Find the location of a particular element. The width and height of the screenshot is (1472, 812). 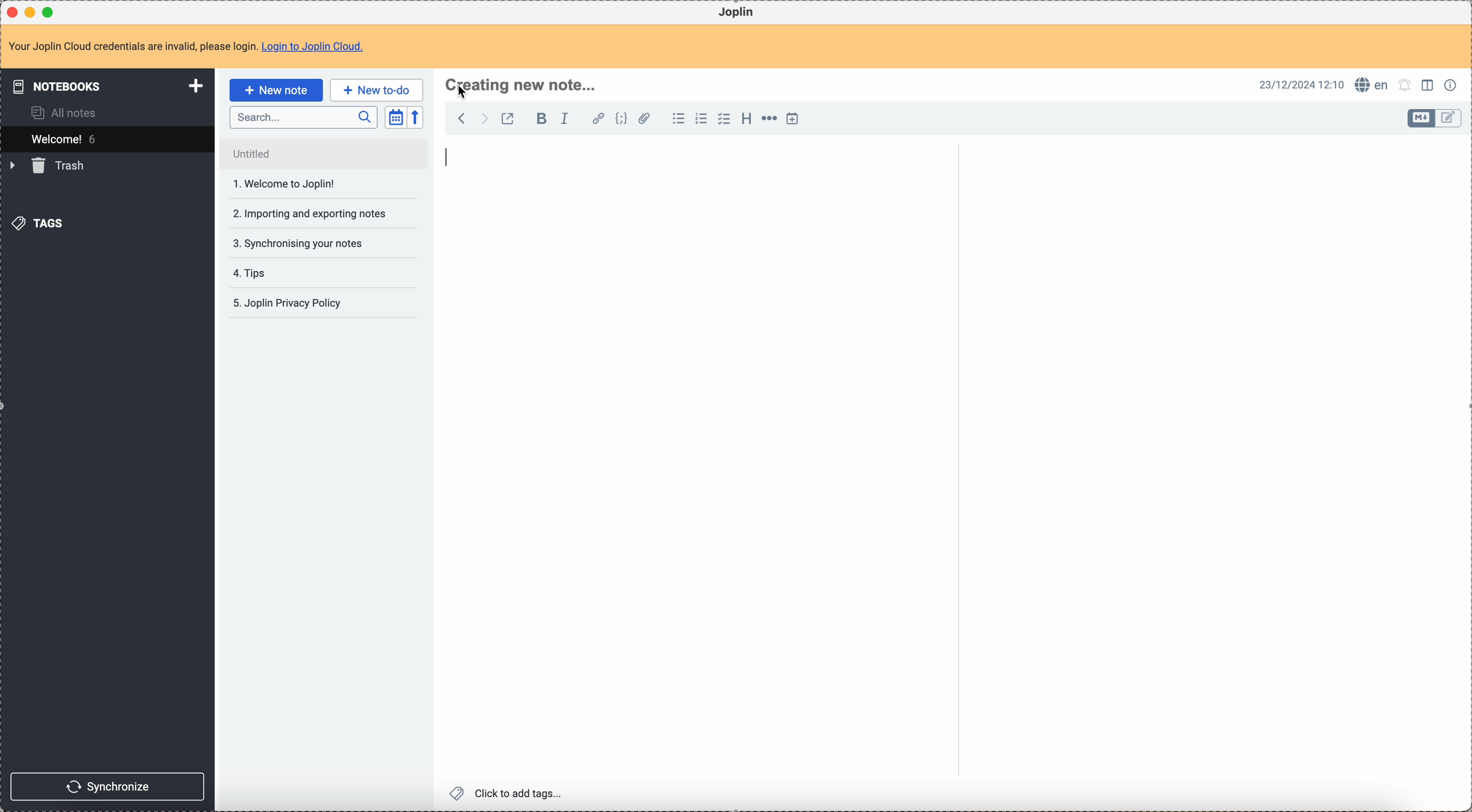

scroll bar is located at coordinates (1463, 258).